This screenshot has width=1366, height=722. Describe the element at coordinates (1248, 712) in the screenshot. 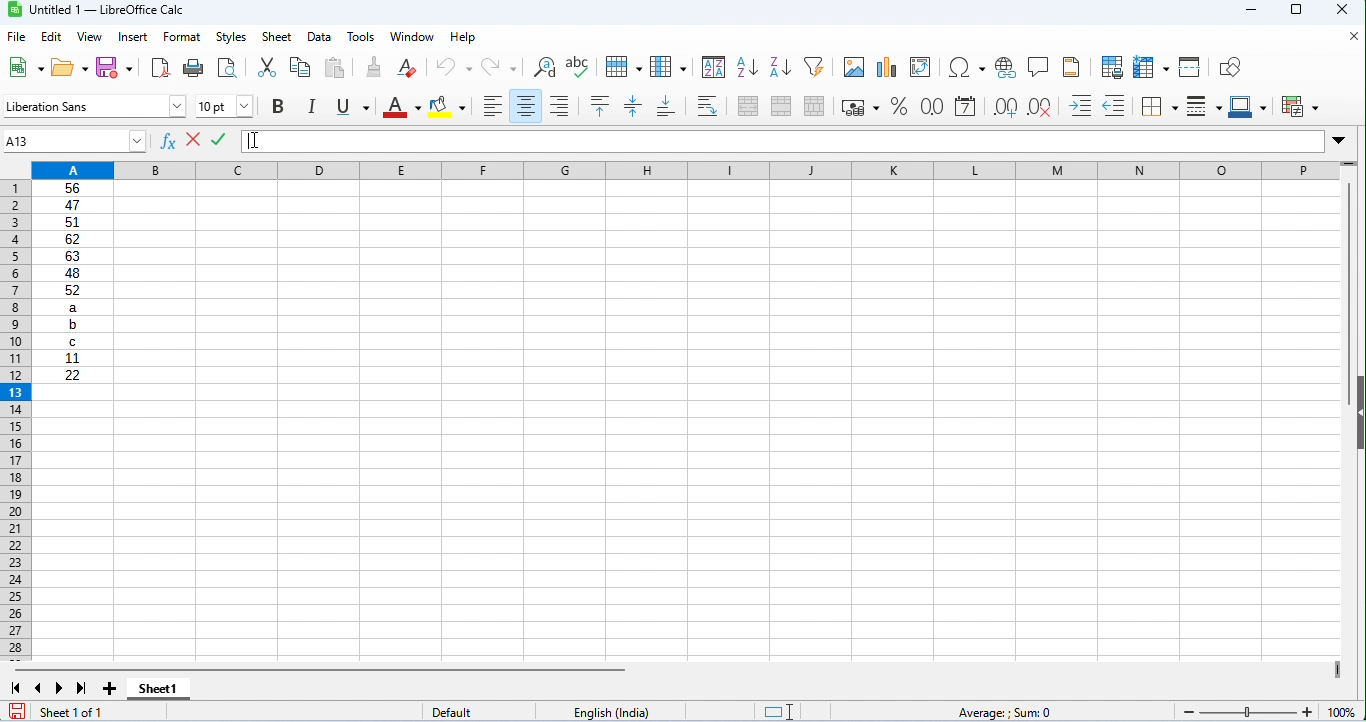

I see `Zoom slider` at that location.